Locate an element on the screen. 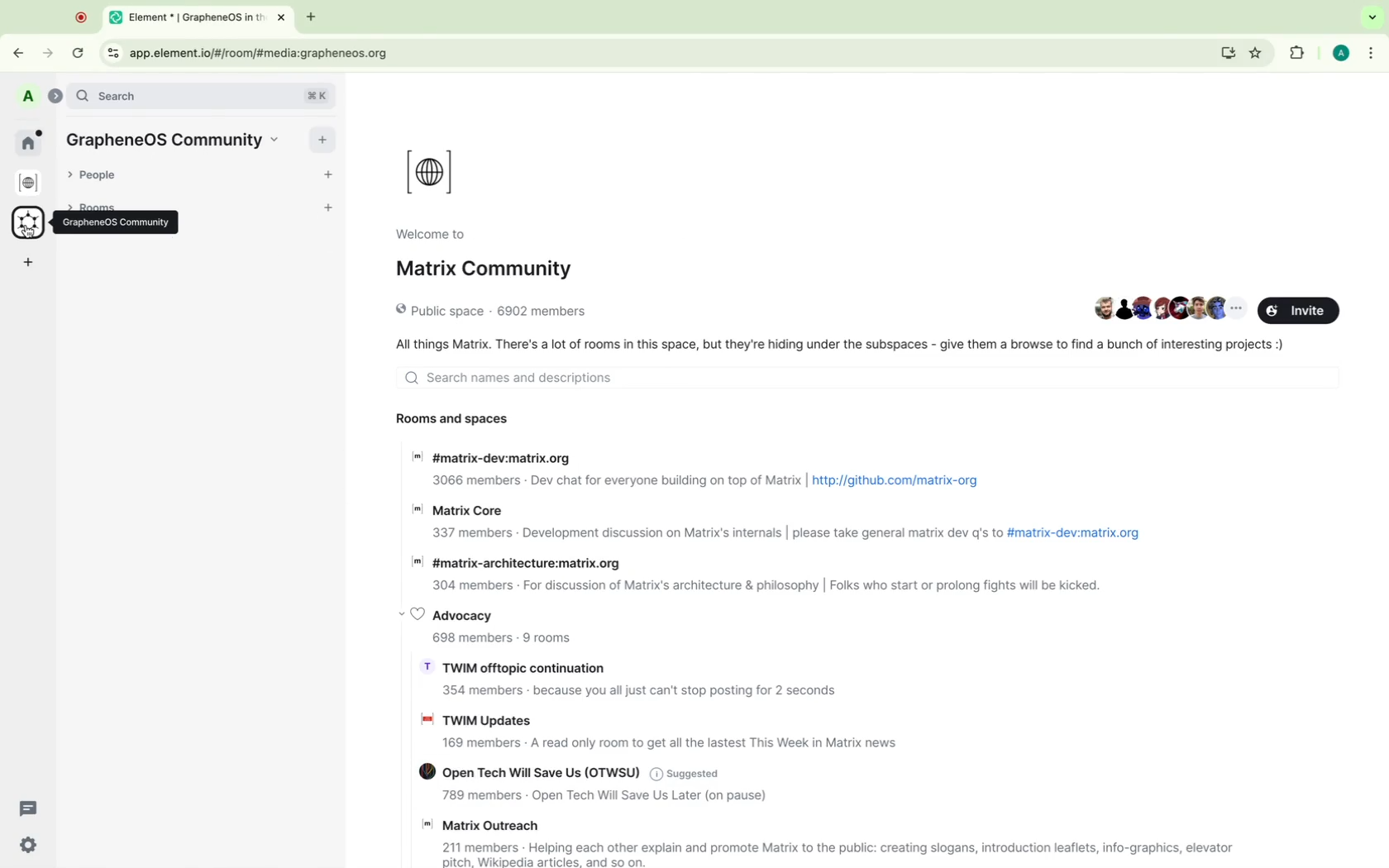 The height and width of the screenshot is (868, 1389). 6902 members is located at coordinates (542, 310).